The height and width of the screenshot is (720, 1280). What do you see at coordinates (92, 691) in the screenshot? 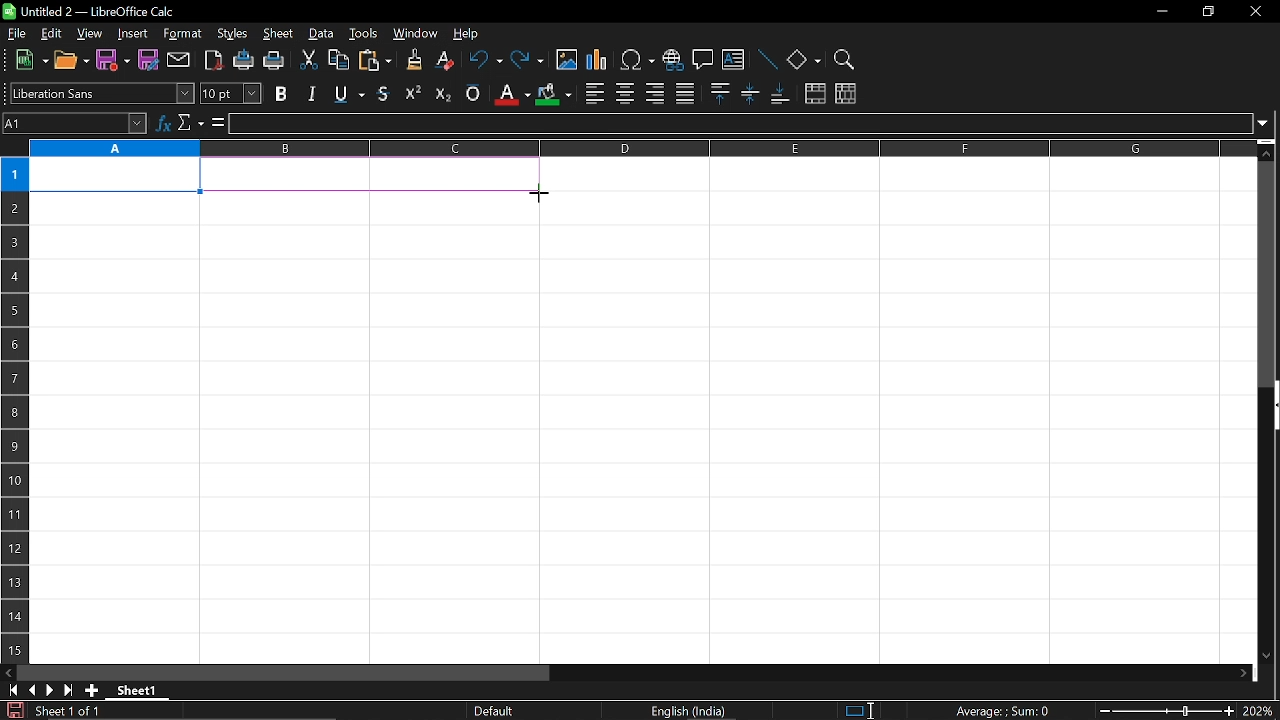
I see `add sheet` at bounding box center [92, 691].